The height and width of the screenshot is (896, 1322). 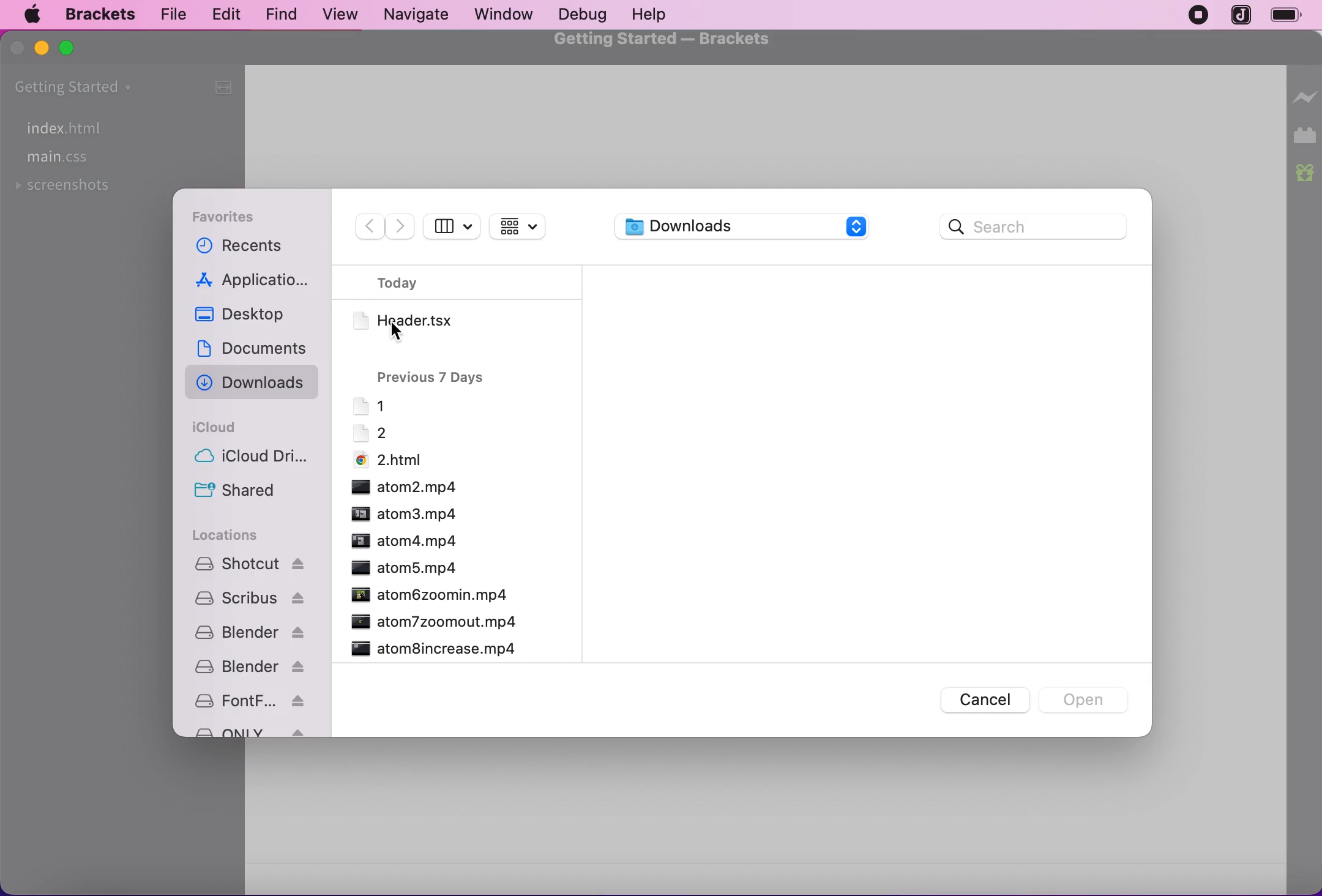 What do you see at coordinates (433, 648) in the screenshot?
I see `atom8increase.mp4` at bounding box center [433, 648].